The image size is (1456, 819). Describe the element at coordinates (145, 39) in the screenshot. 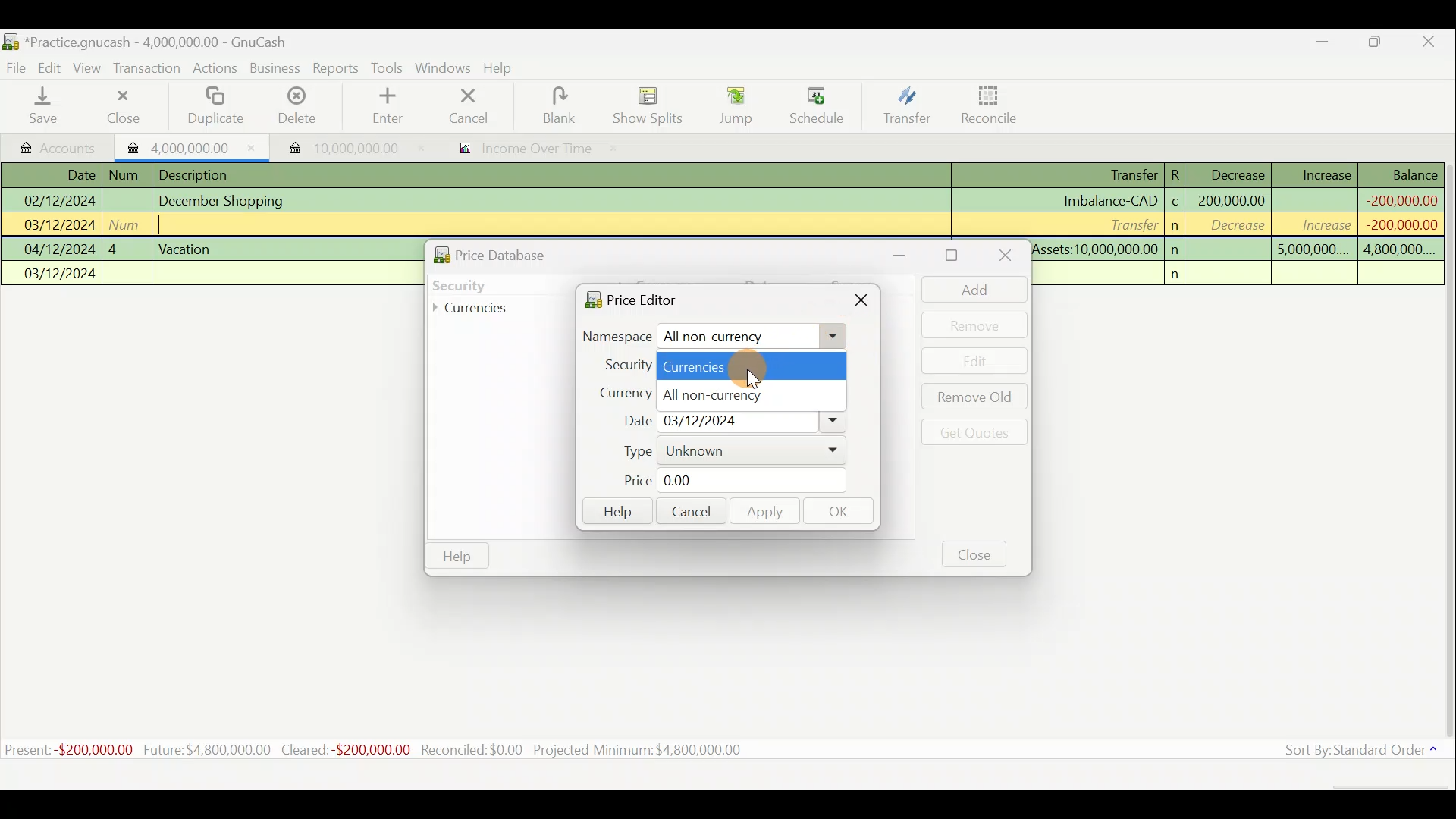

I see `Document name` at that location.